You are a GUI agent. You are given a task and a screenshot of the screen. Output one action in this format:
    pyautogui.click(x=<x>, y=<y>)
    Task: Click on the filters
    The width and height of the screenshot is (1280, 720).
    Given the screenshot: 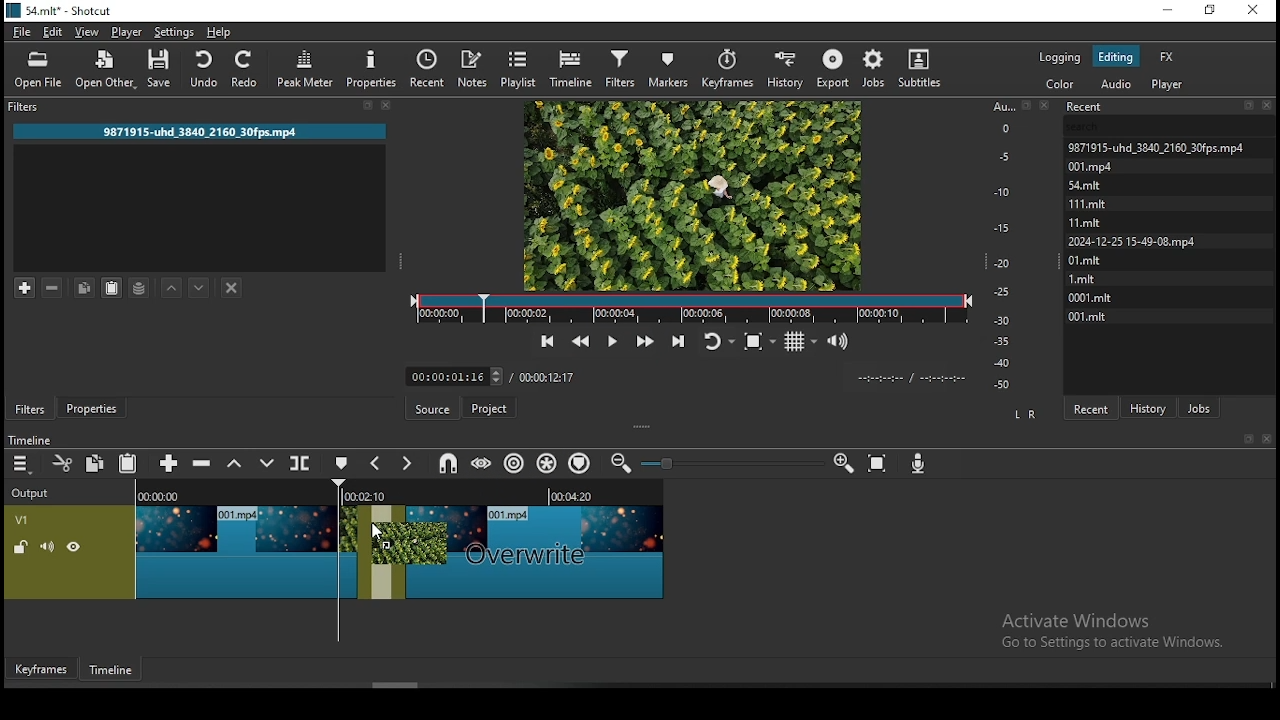 What is the action you would take?
    pyautogui.click(x=30, y=408)
    